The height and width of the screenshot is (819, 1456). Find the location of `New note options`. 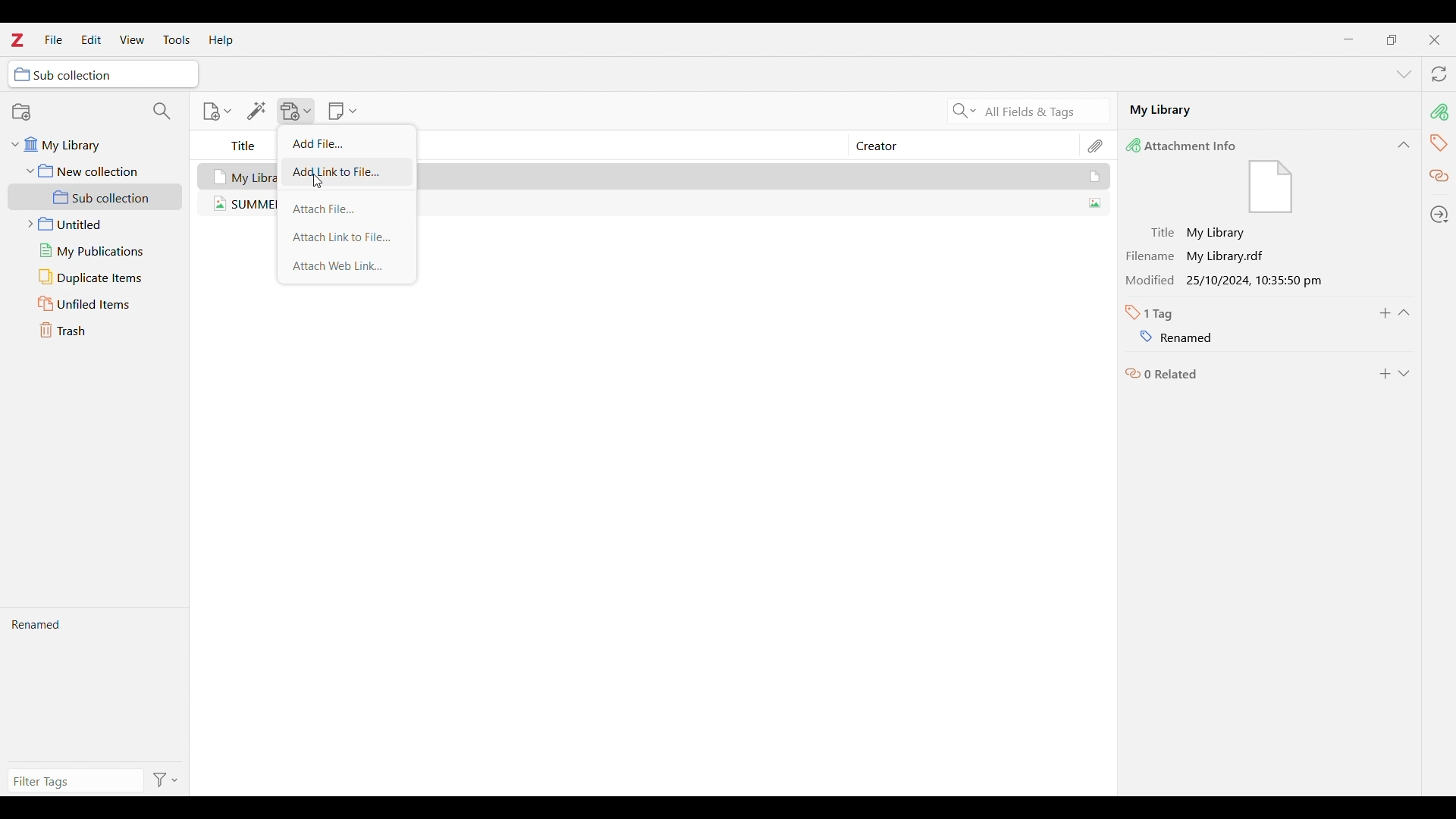

New note options is located at coordinates (342, 111).